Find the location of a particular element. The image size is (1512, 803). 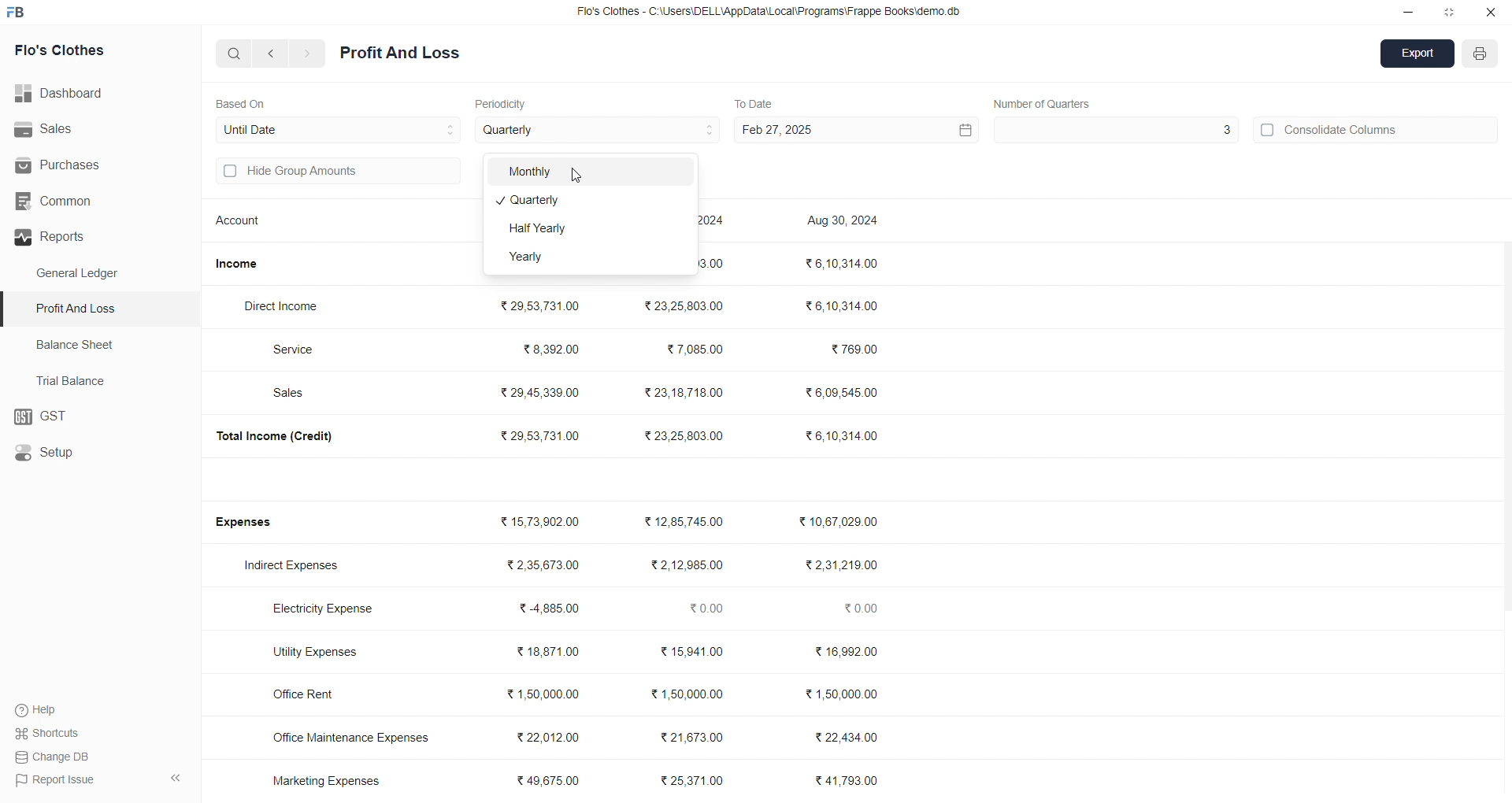

Setup is located at coordinates (91, 453).